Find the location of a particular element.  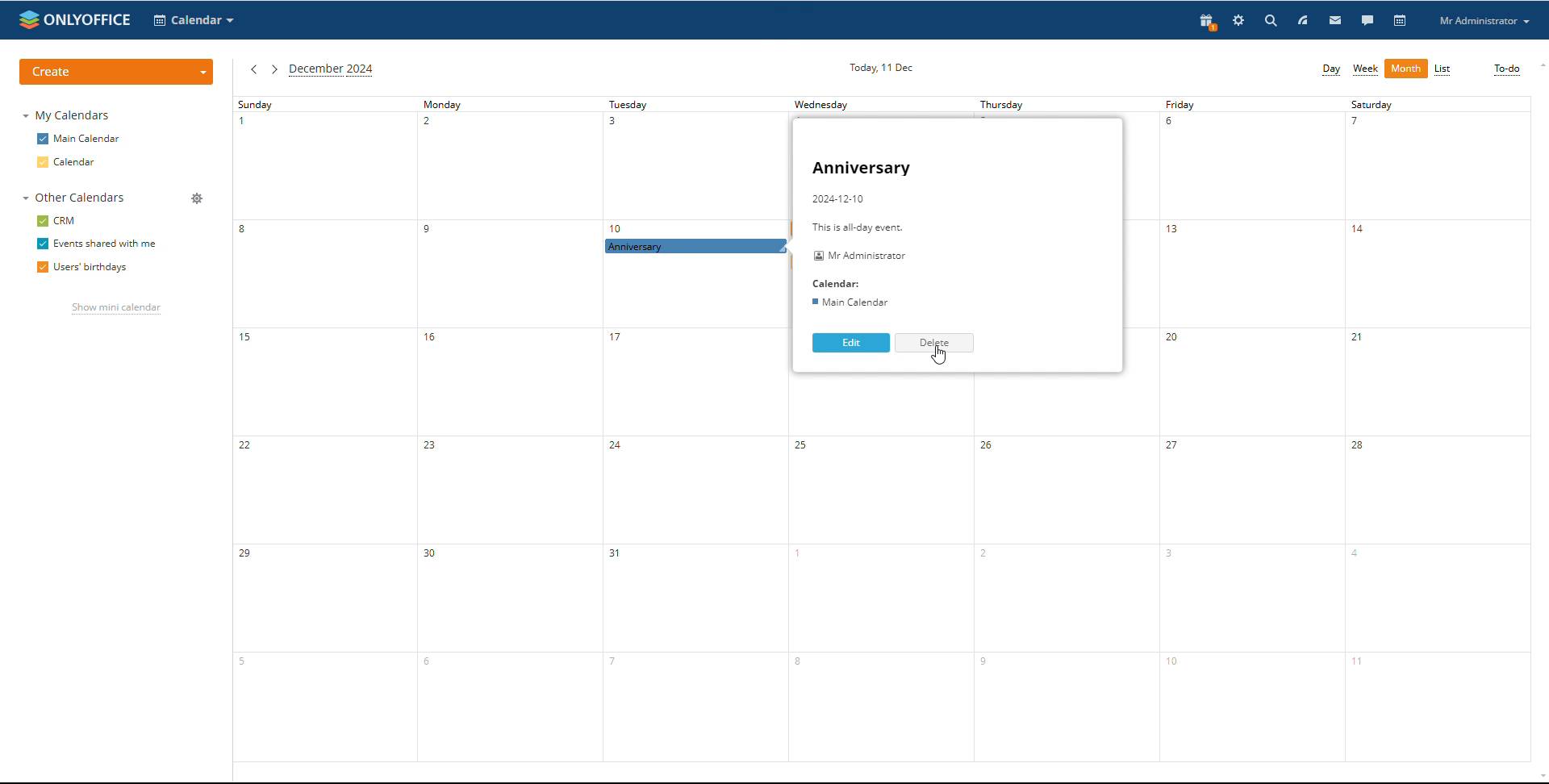

tuesday is located at coordinates (695, 428).